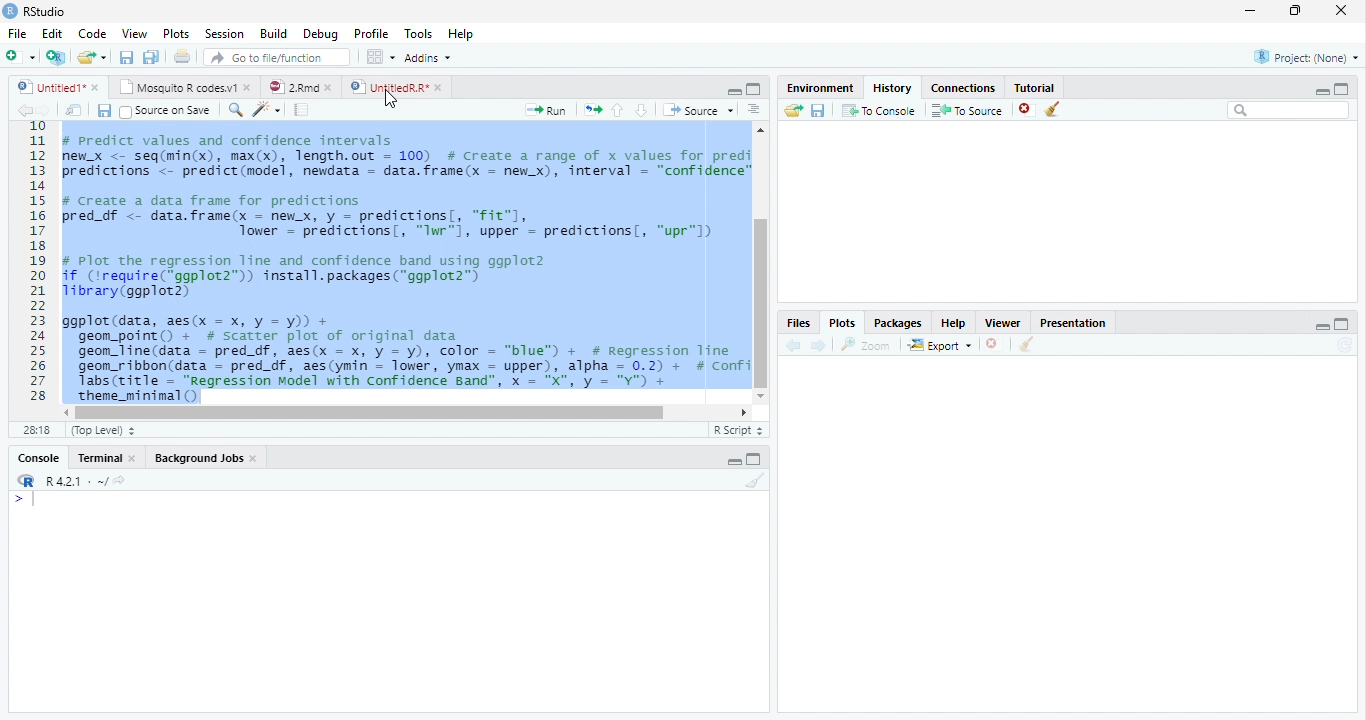 The image size is (1366, 720). What do you see at coordinates (818, 113) in the screenshot?
I see `Save` at bounding box center [818, 113].